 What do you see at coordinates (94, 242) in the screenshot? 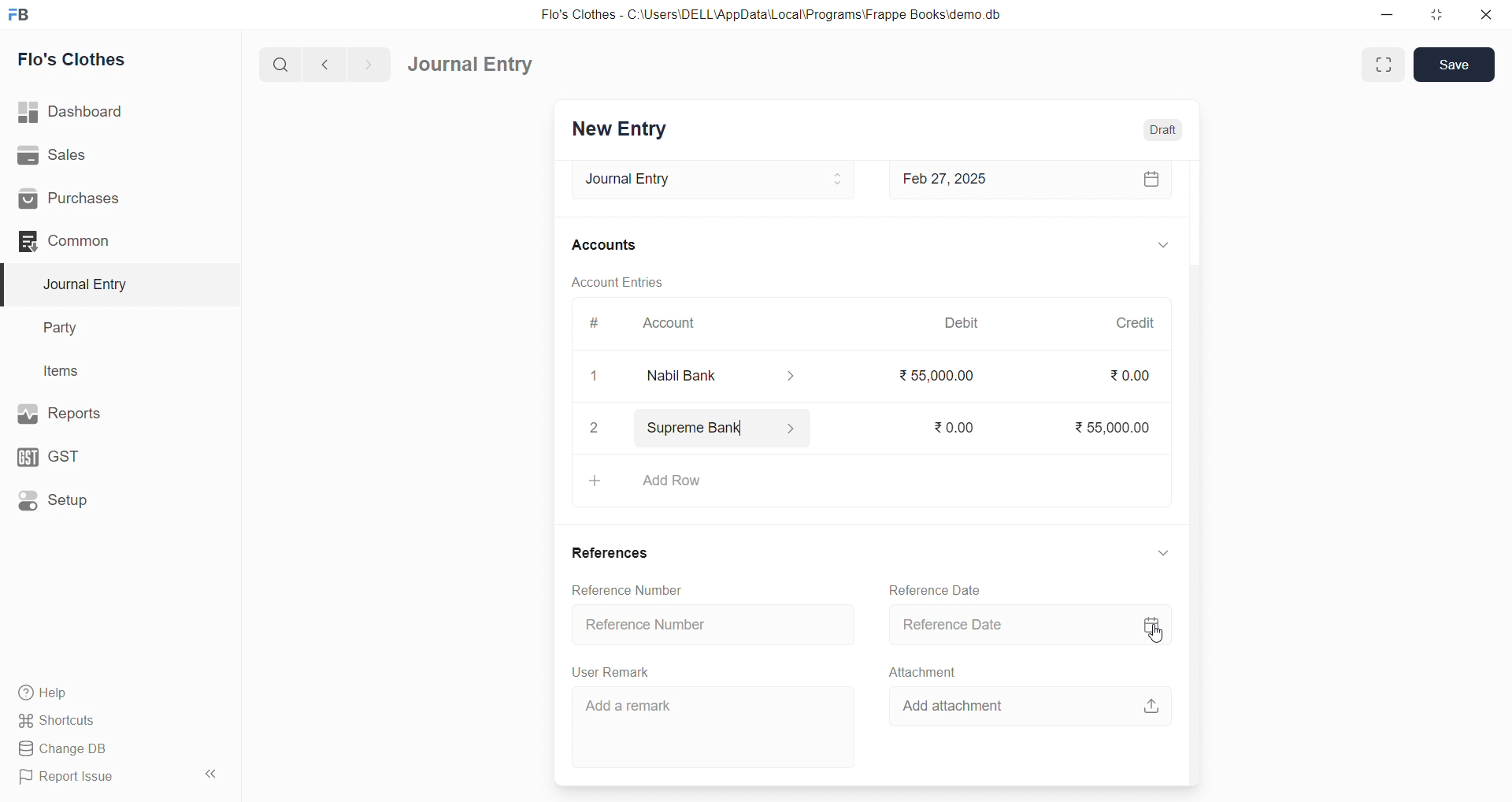
I see `Common` at bounding box center [94, 242].